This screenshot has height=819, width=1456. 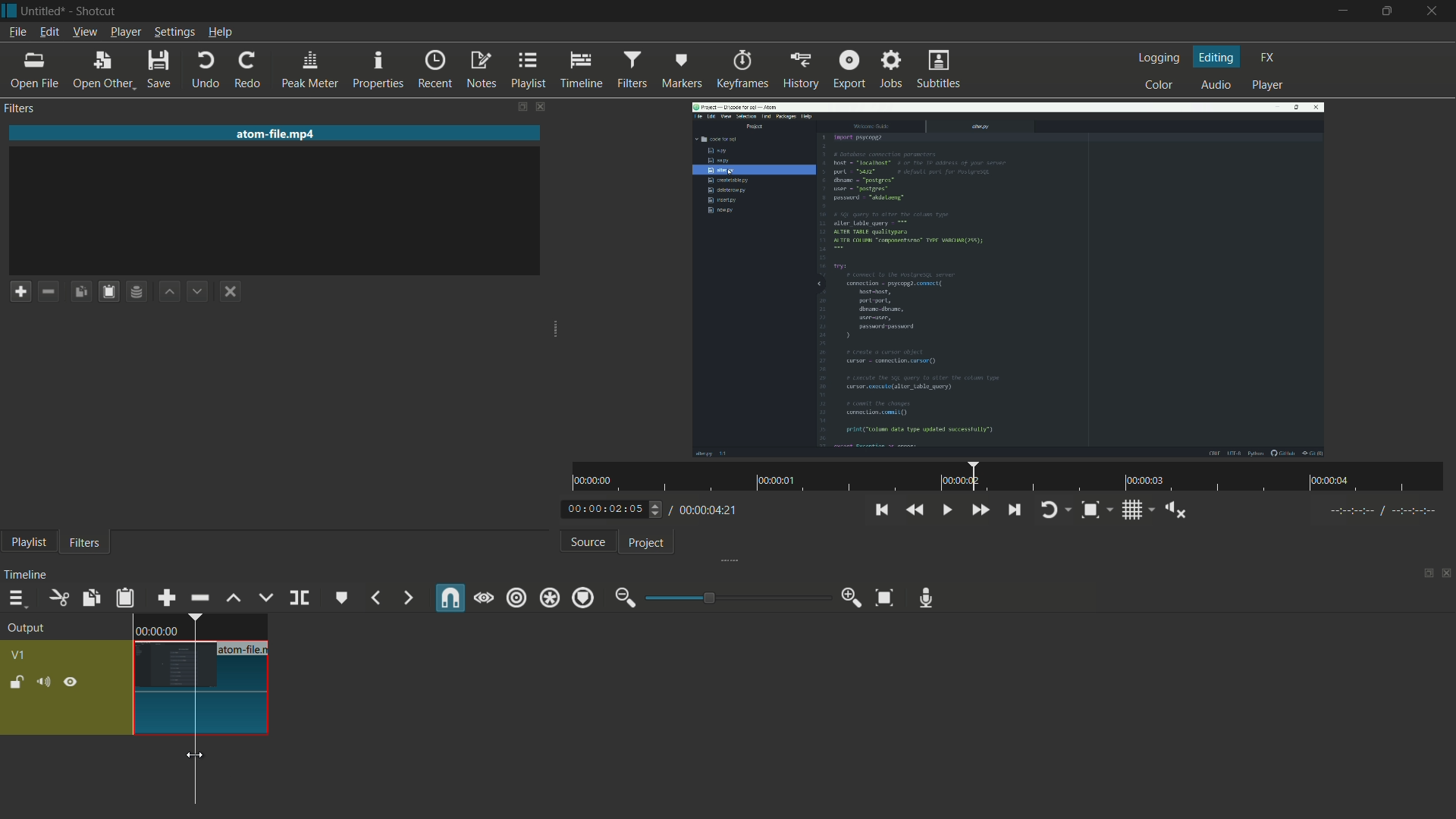 What do you see at coordinates (175, 33) in the screenshot?
I see `settings menu` at bounding box center [175, 33].